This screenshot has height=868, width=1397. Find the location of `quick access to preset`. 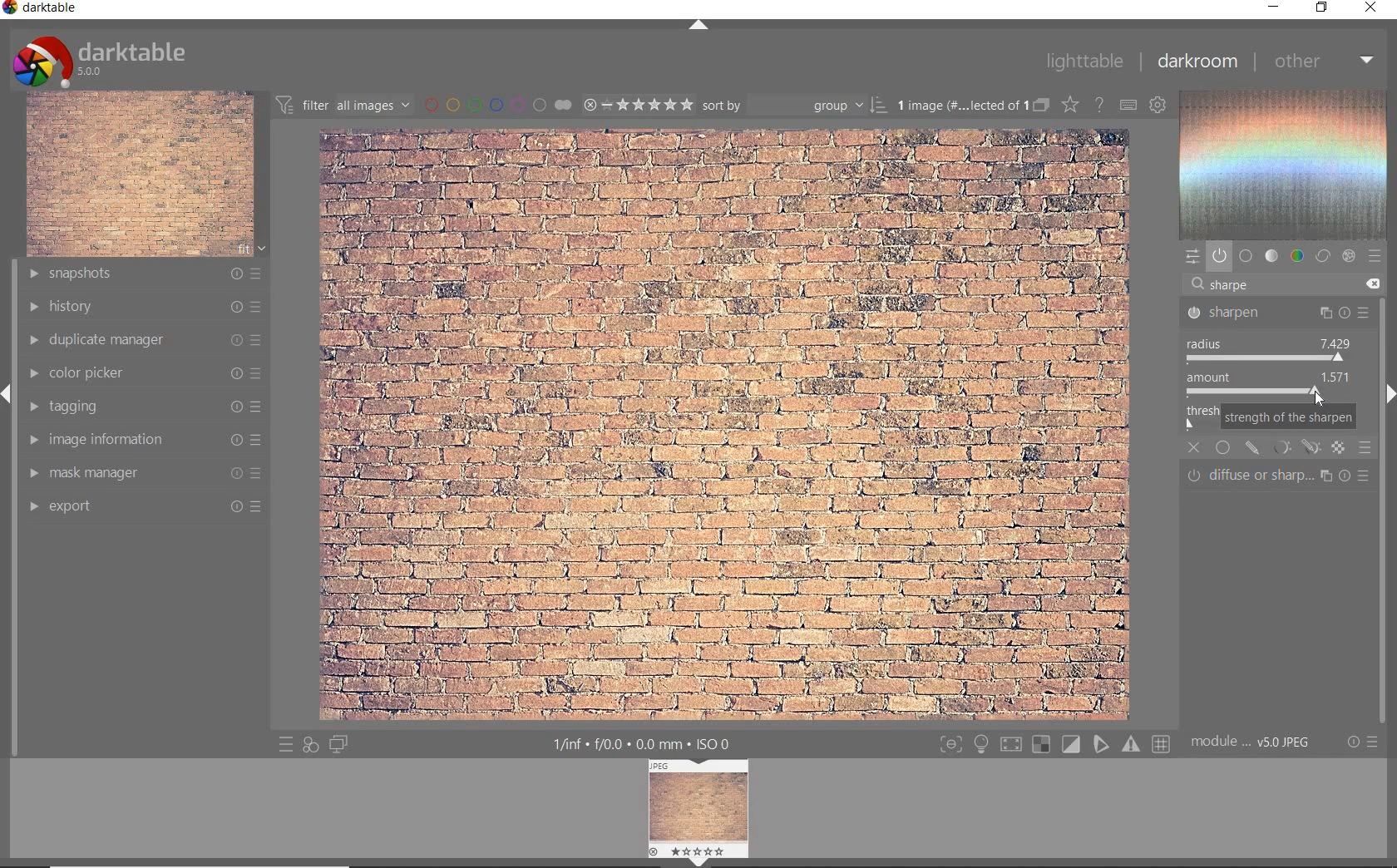

quick access to preset is located at coordinates (283, 744).